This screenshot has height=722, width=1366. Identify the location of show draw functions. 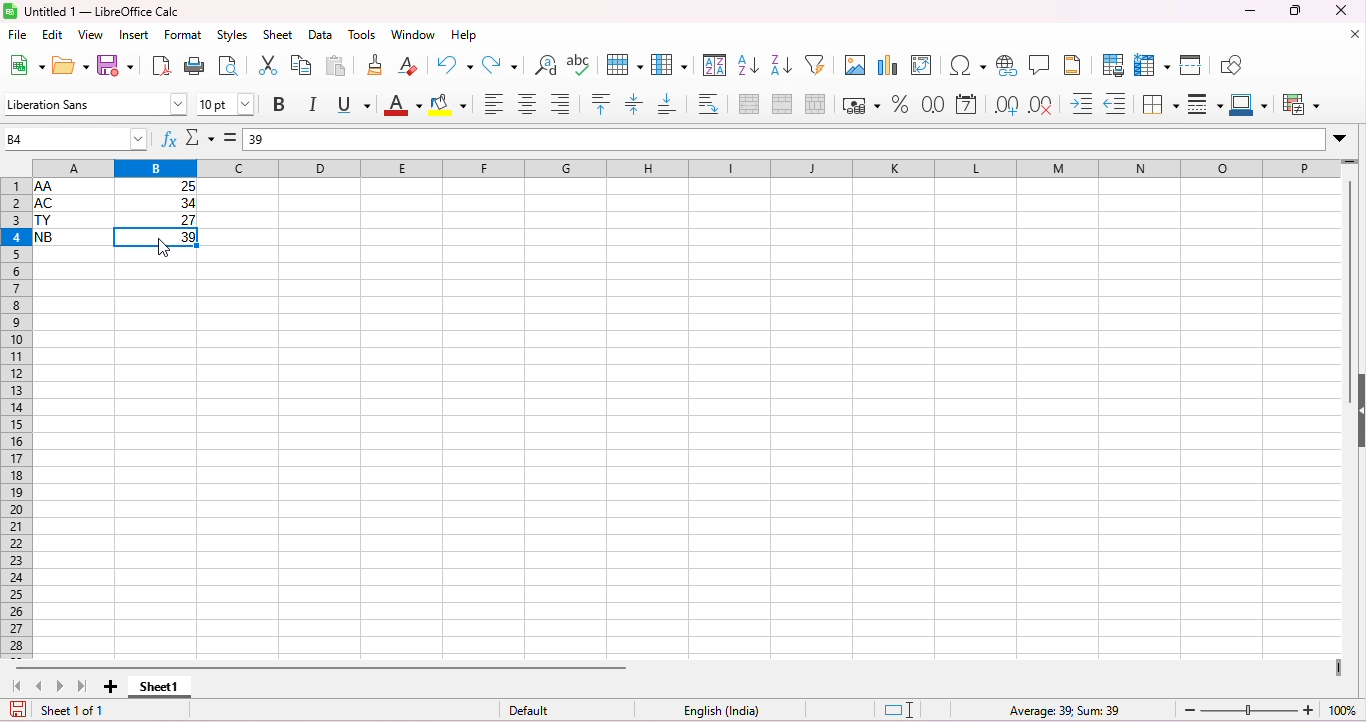
(1232, 63).